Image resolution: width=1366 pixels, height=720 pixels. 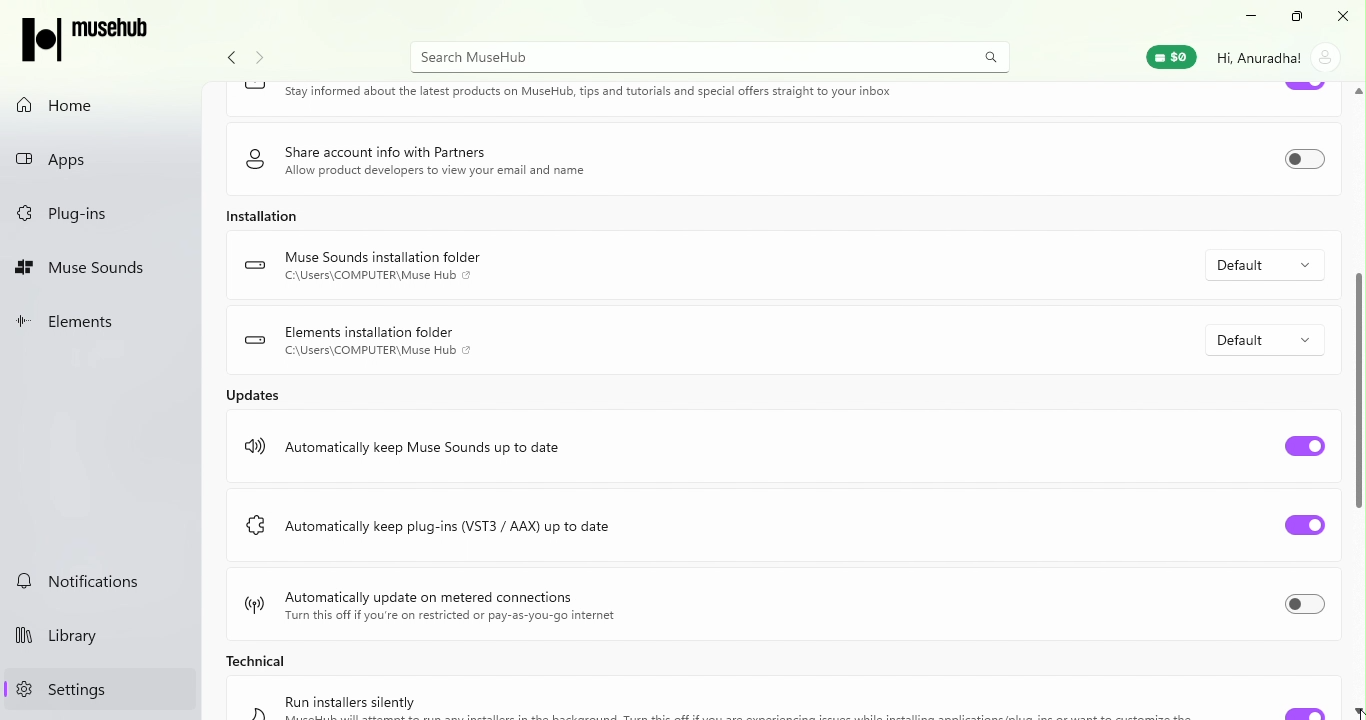 I want to click on Hi, Anuradha!, so click(x=1259, y=58).